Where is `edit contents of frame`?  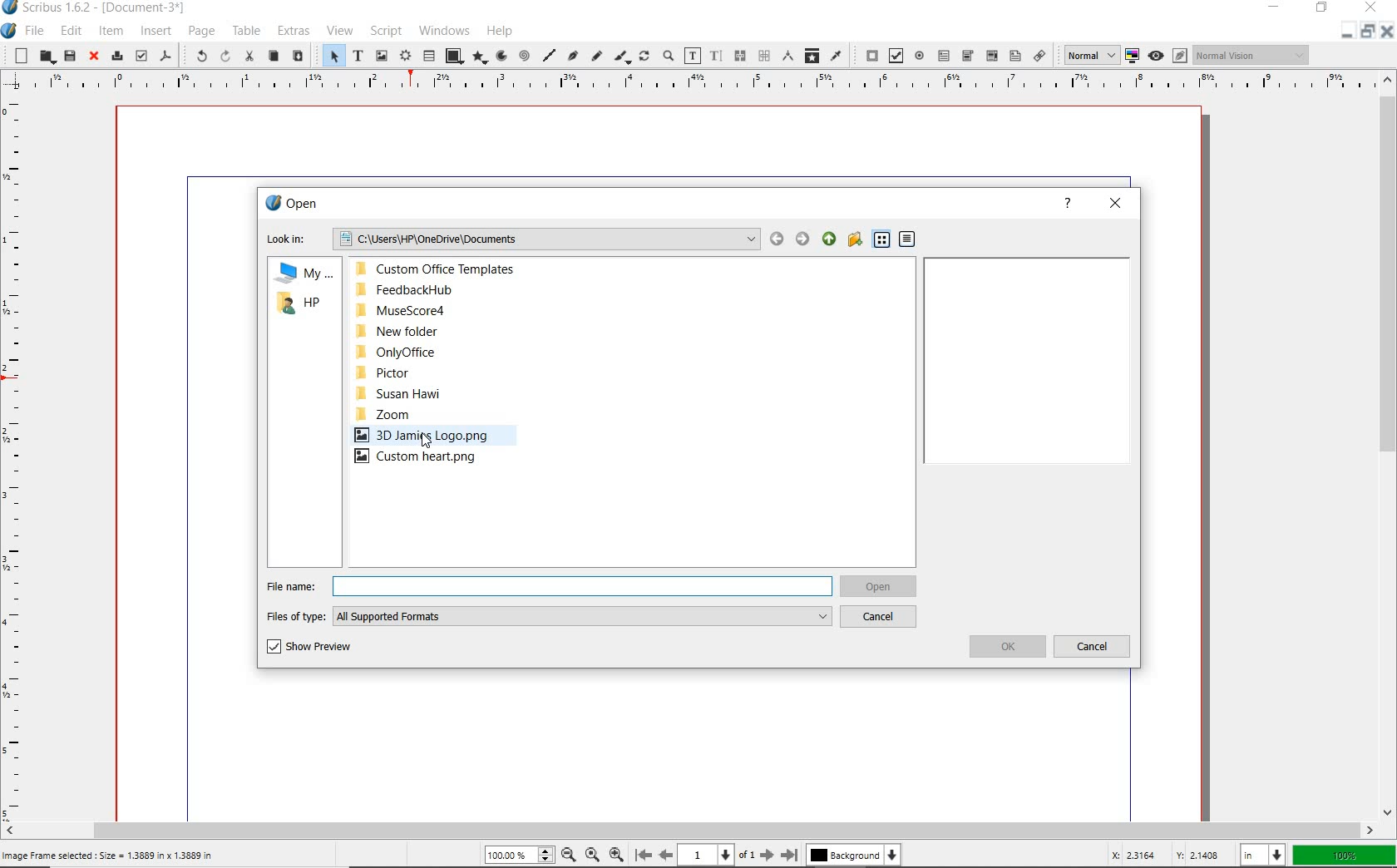
edit contents of frame is located at coordinates (692, 55).